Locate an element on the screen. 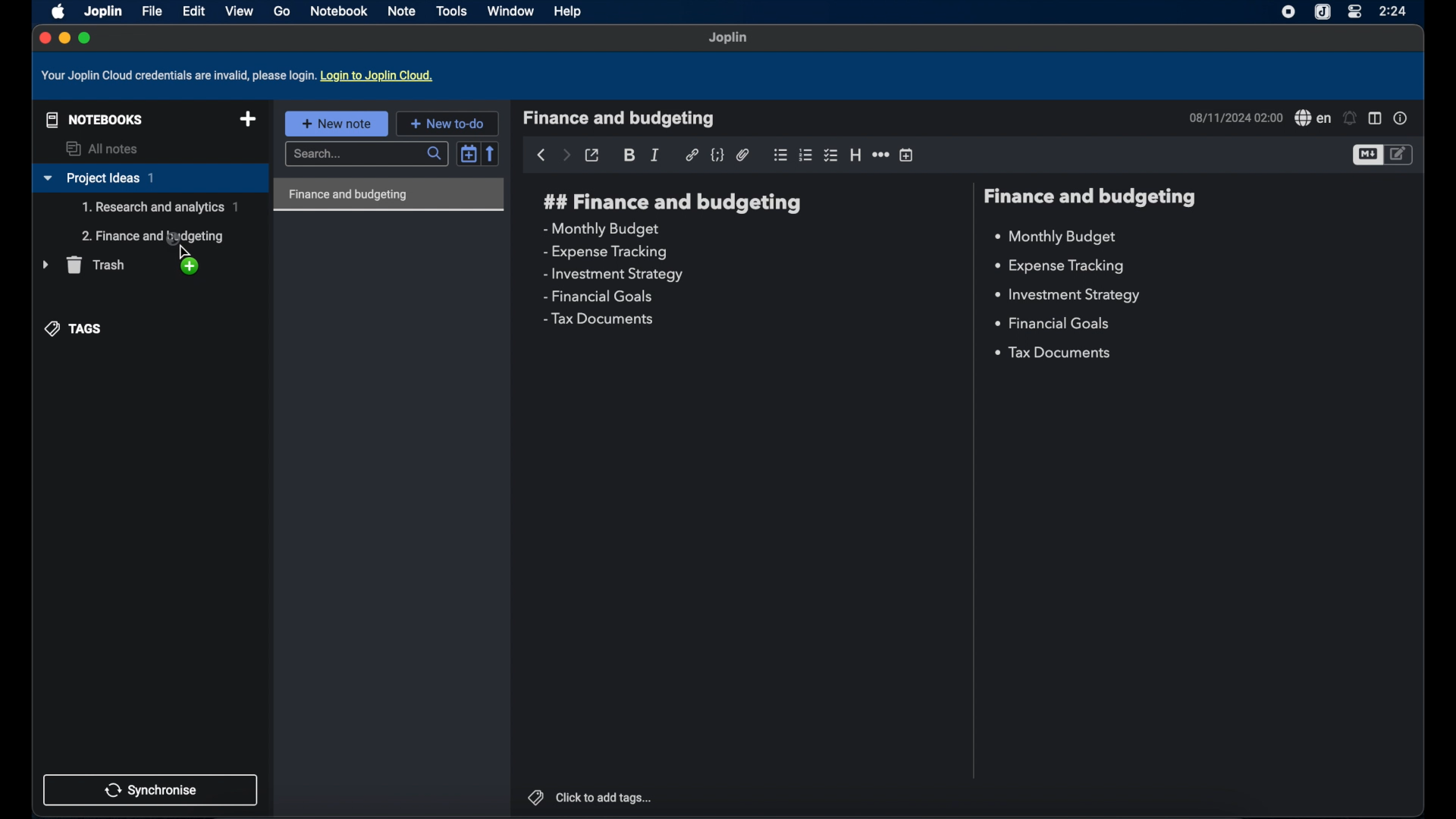 This screenshot has height=819, width=1456. apple icon is located at coordinates (55, 11).